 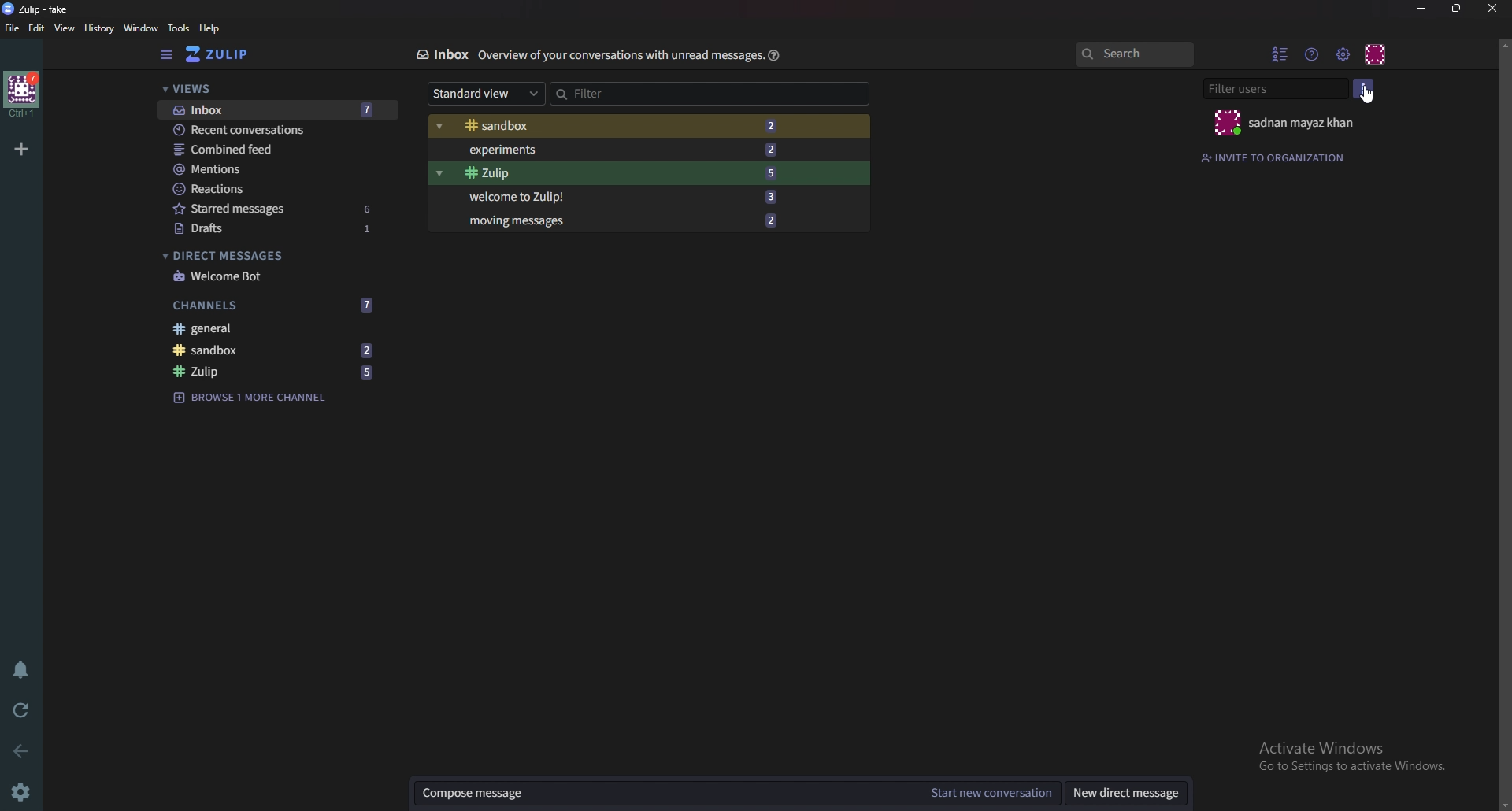 What do you see at coordinates (437, 54) in the screenshot?
I see `Inbox` at bounding box center [437, 54].